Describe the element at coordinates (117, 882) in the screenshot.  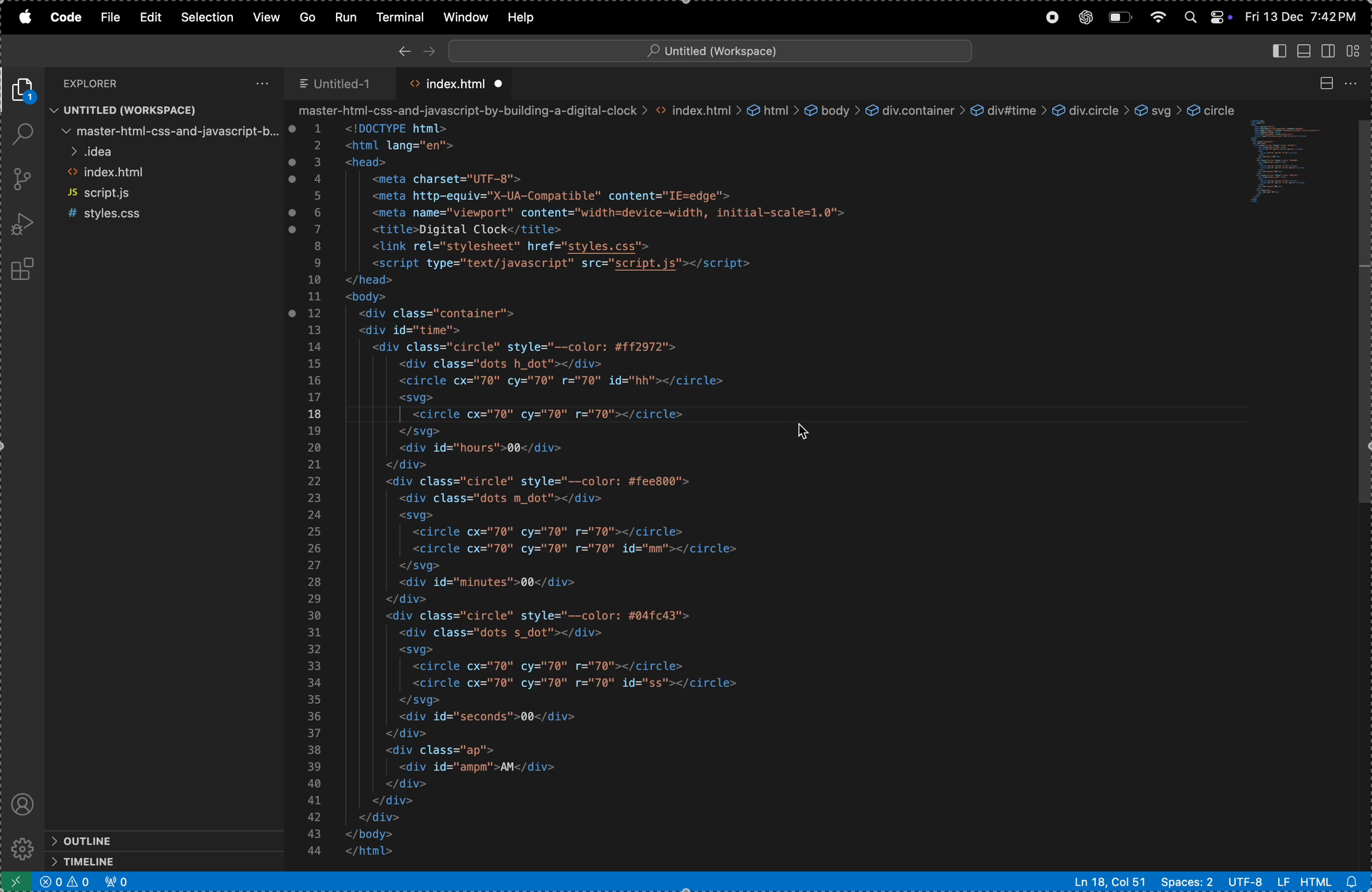
I see `no ports forwarded` at that location.